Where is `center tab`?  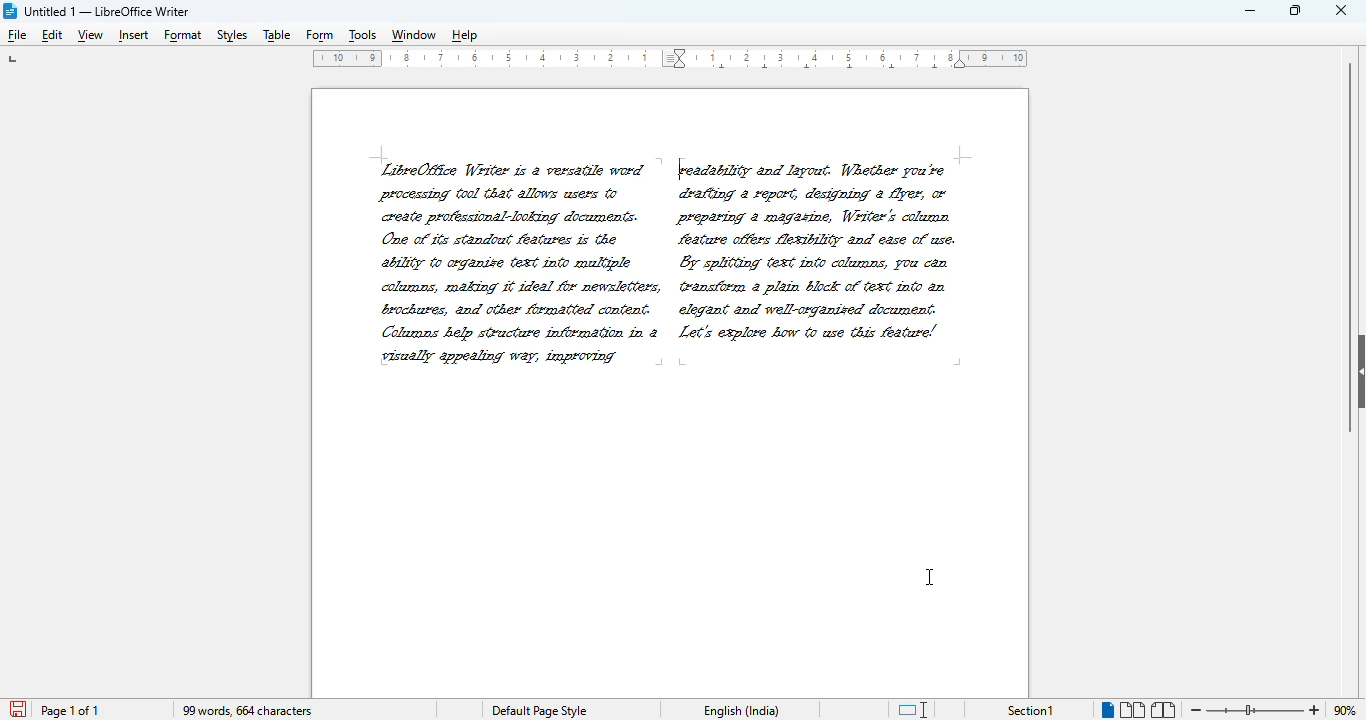 center tab is located at coordinates (765, 68).